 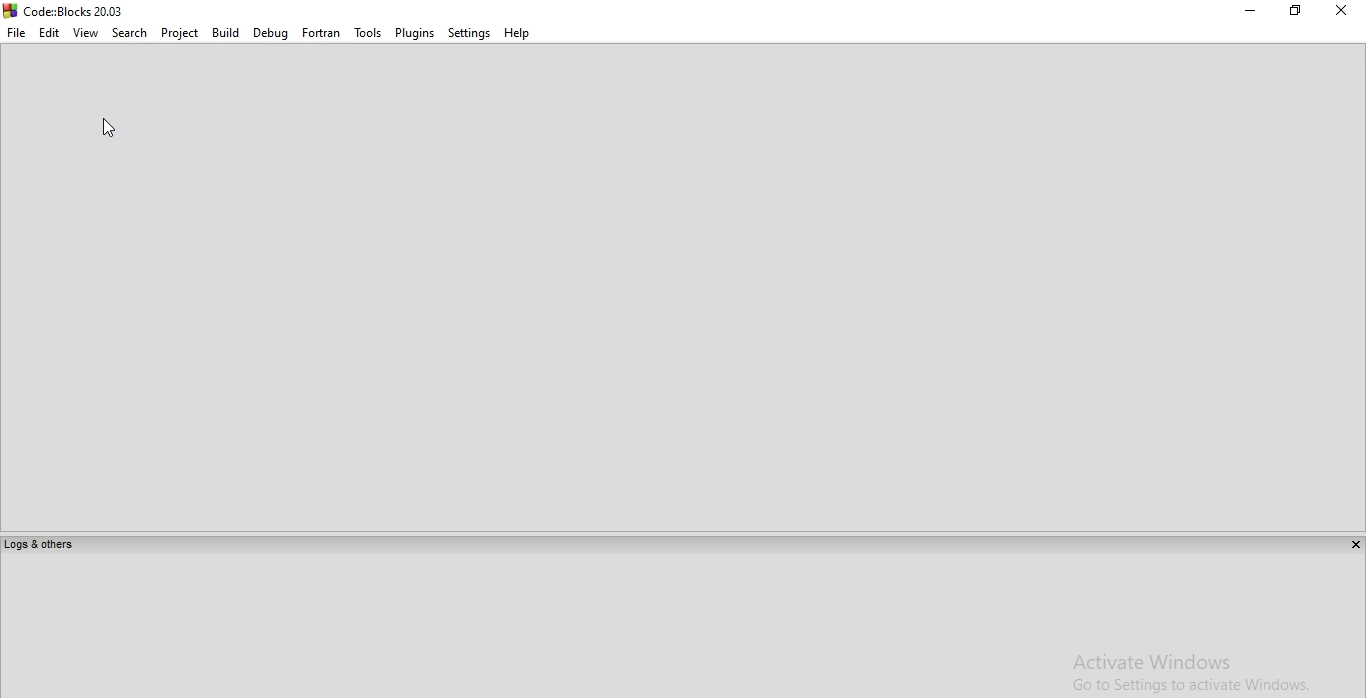 I want to click on Edit , so click(x=50, y=32).